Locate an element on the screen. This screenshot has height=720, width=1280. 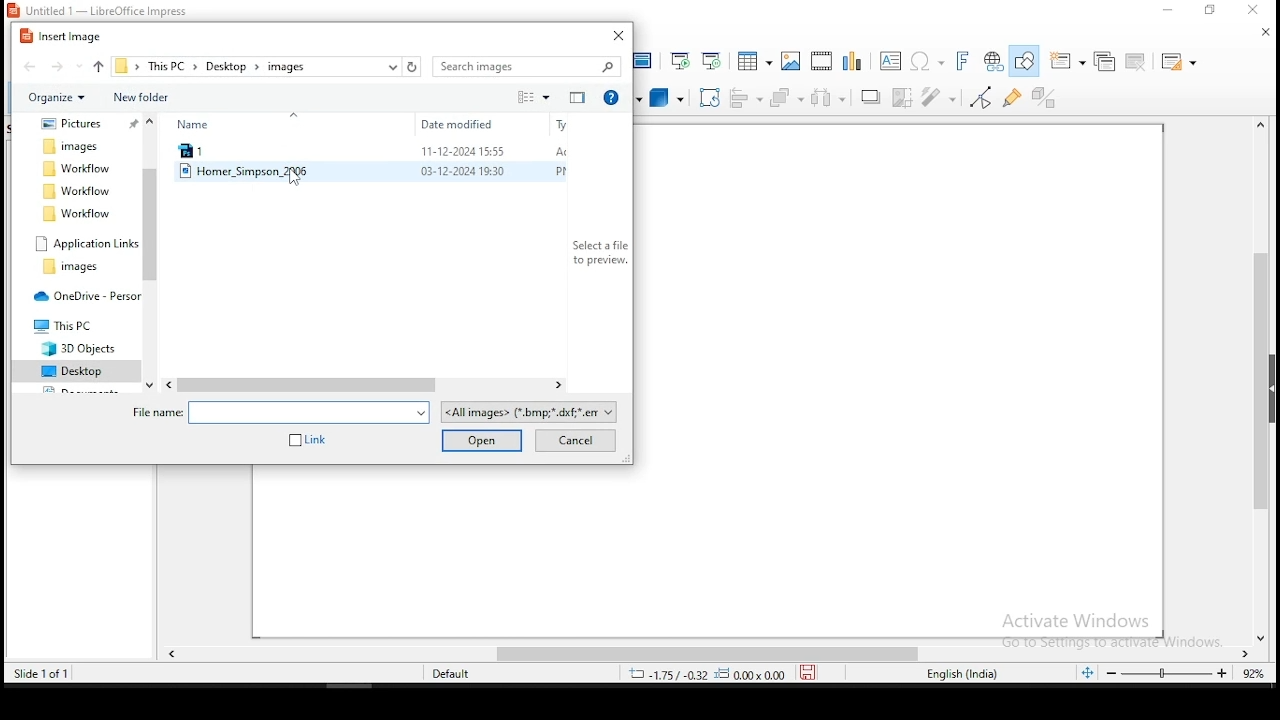
 is located at coordinates (851, 59).